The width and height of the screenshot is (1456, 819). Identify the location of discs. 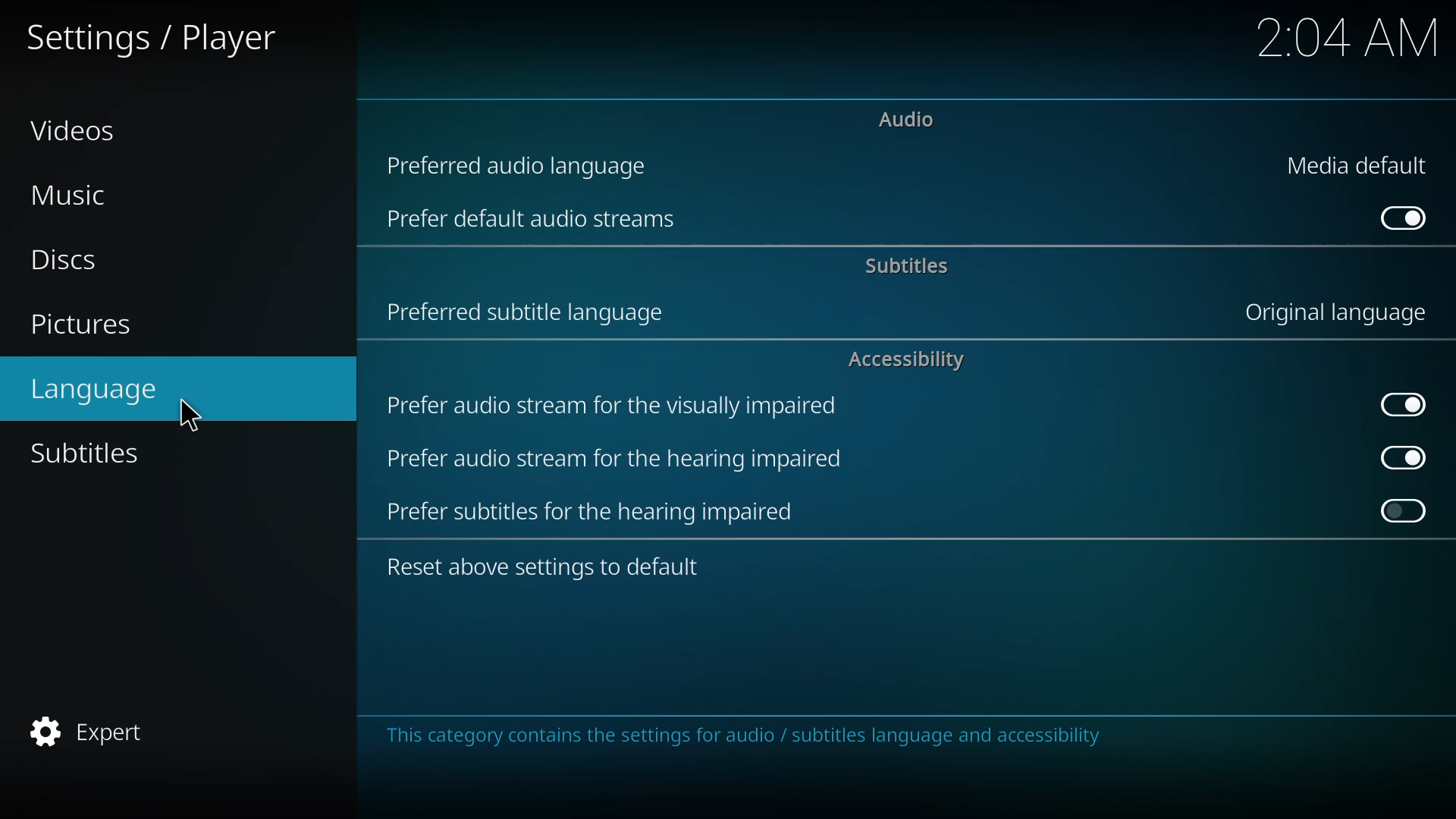
(58, 262).